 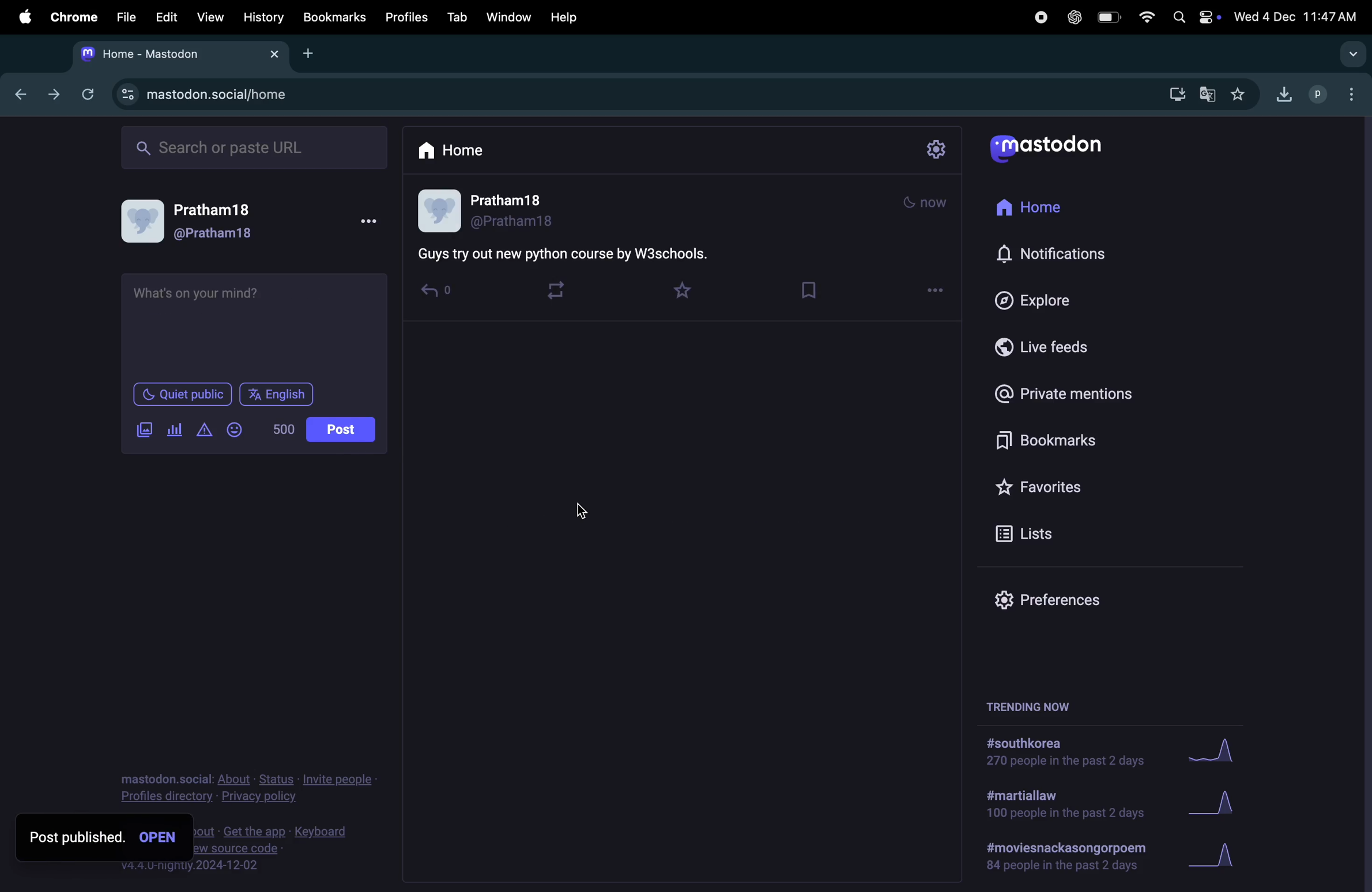 I want to click on wifi, so click(x=1145, y=16).